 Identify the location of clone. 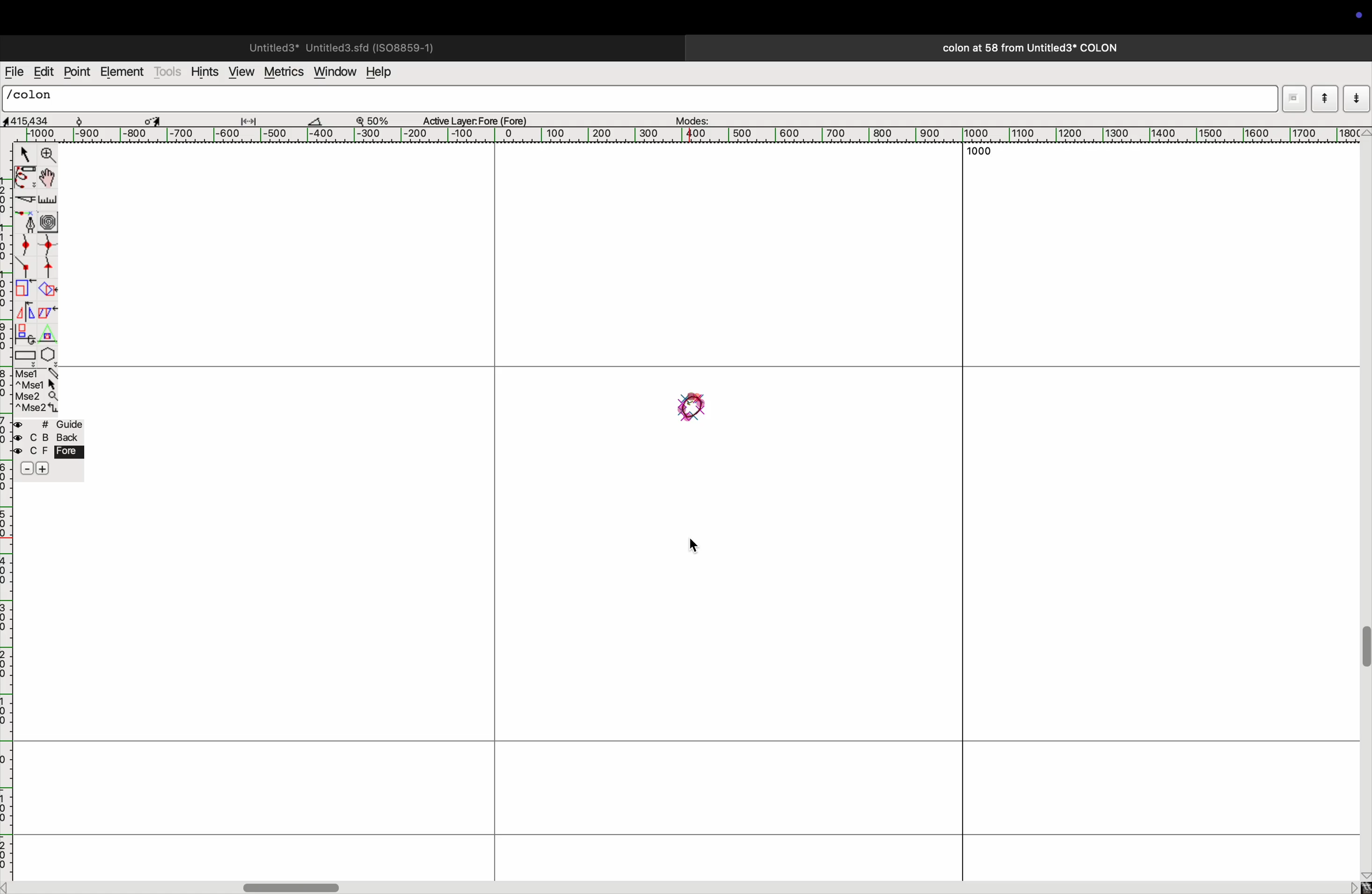
(26, 333).